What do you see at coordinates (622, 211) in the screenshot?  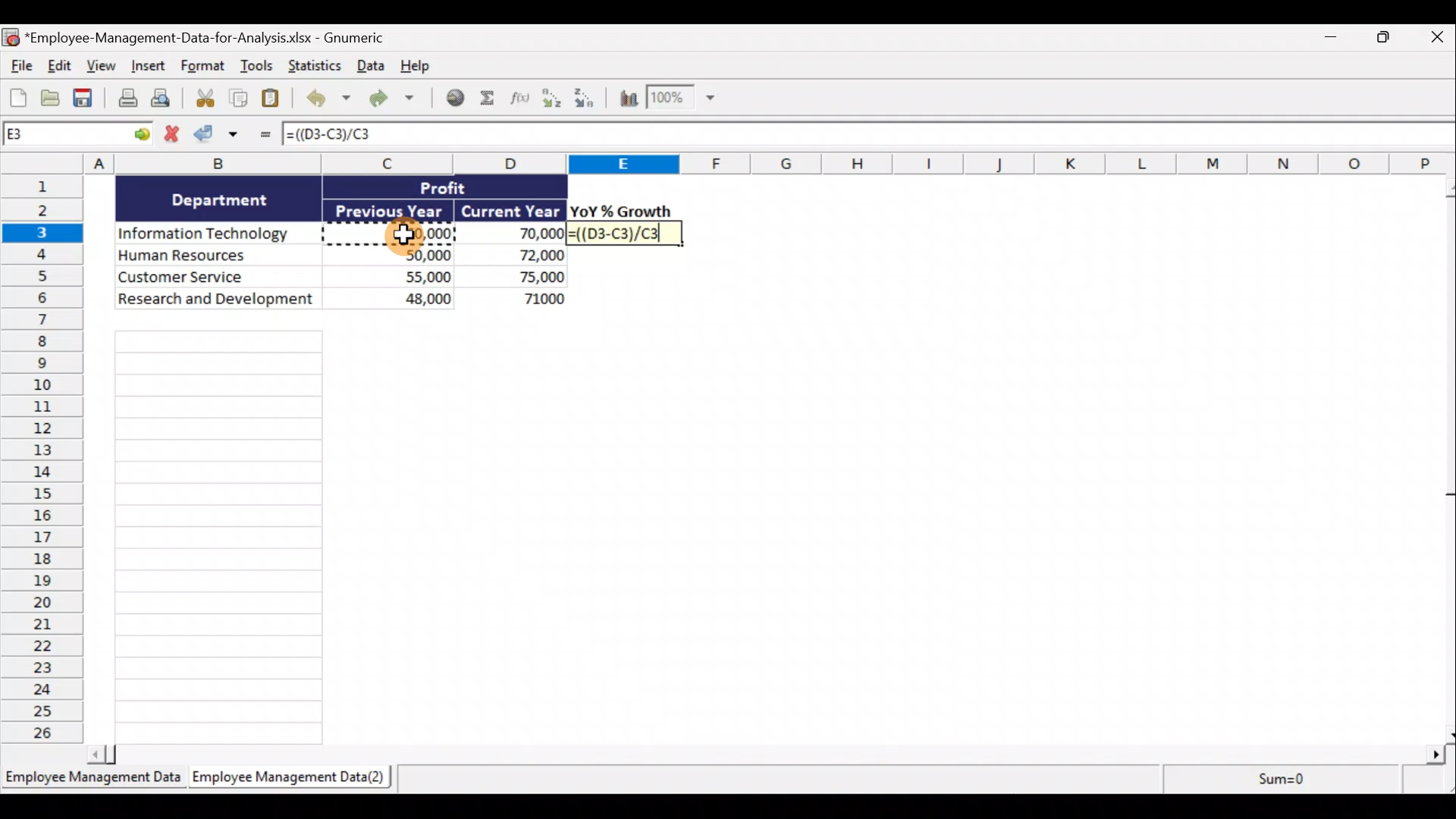 I see `YoY% Growth` at bounding box center [622, 211].